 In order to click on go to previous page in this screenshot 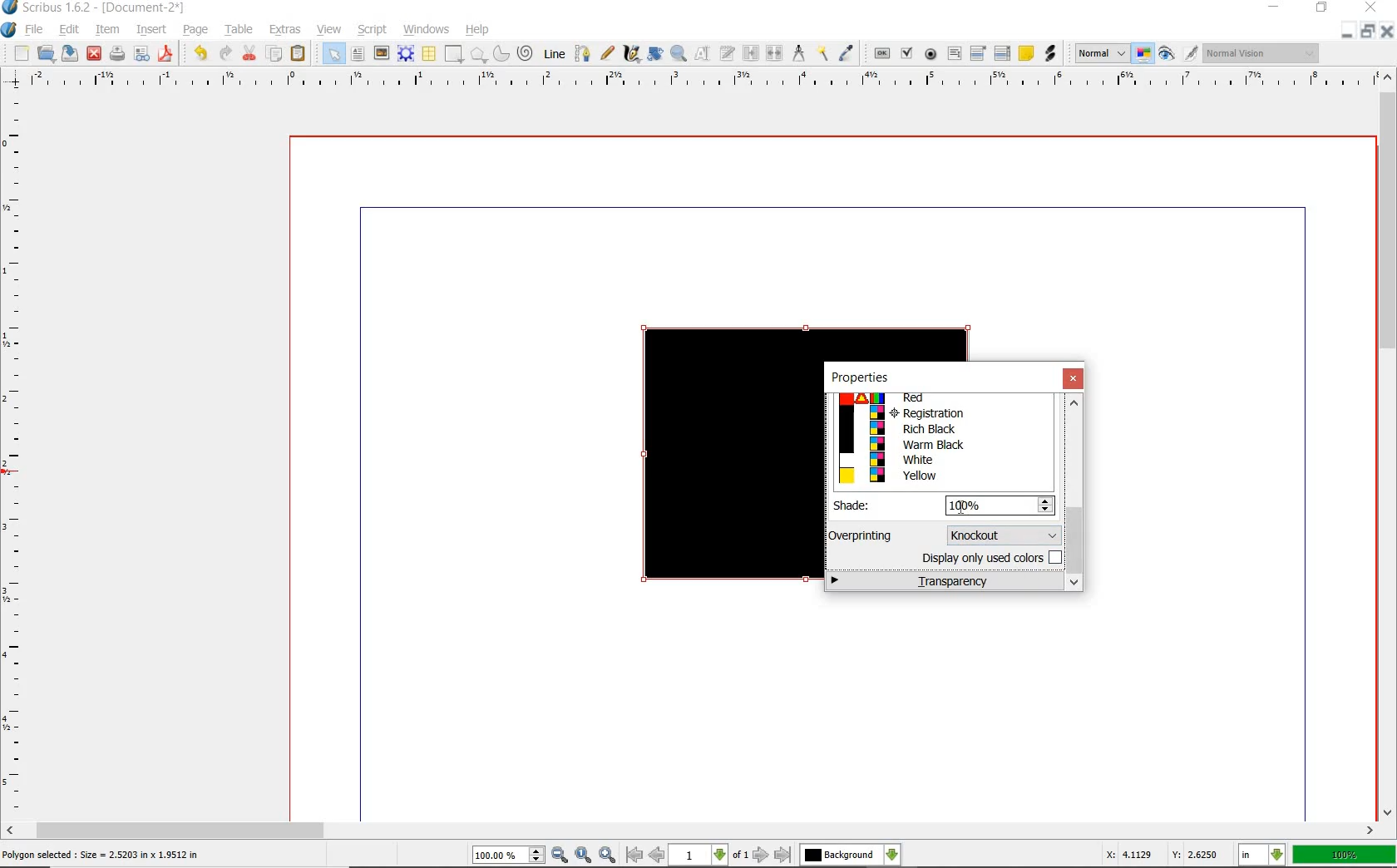, I will do `click(657, 856)`.